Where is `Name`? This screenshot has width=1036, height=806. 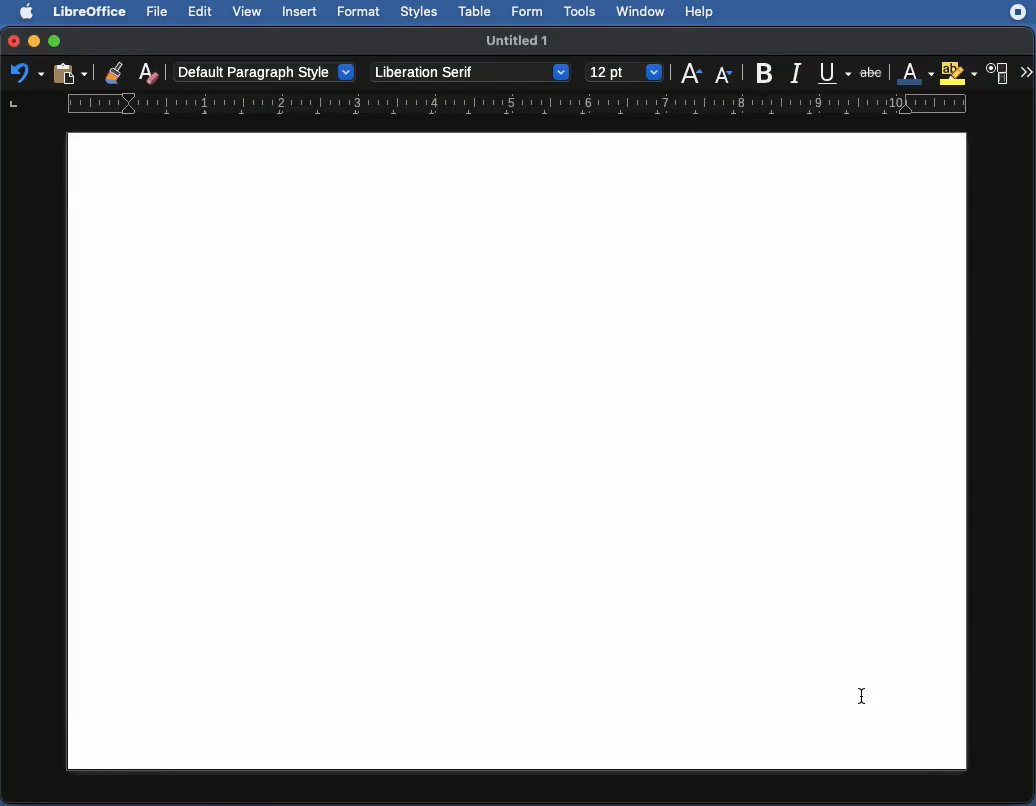
Name is located at coordinates (517, 40).